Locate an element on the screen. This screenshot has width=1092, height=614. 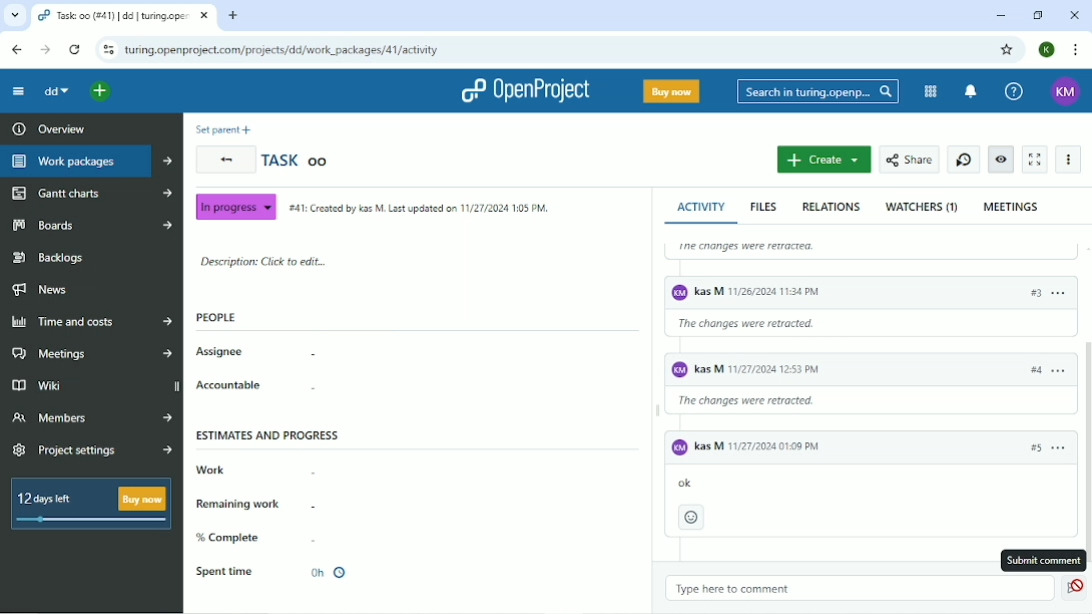
Set parent is located at coordinates (223, 130).